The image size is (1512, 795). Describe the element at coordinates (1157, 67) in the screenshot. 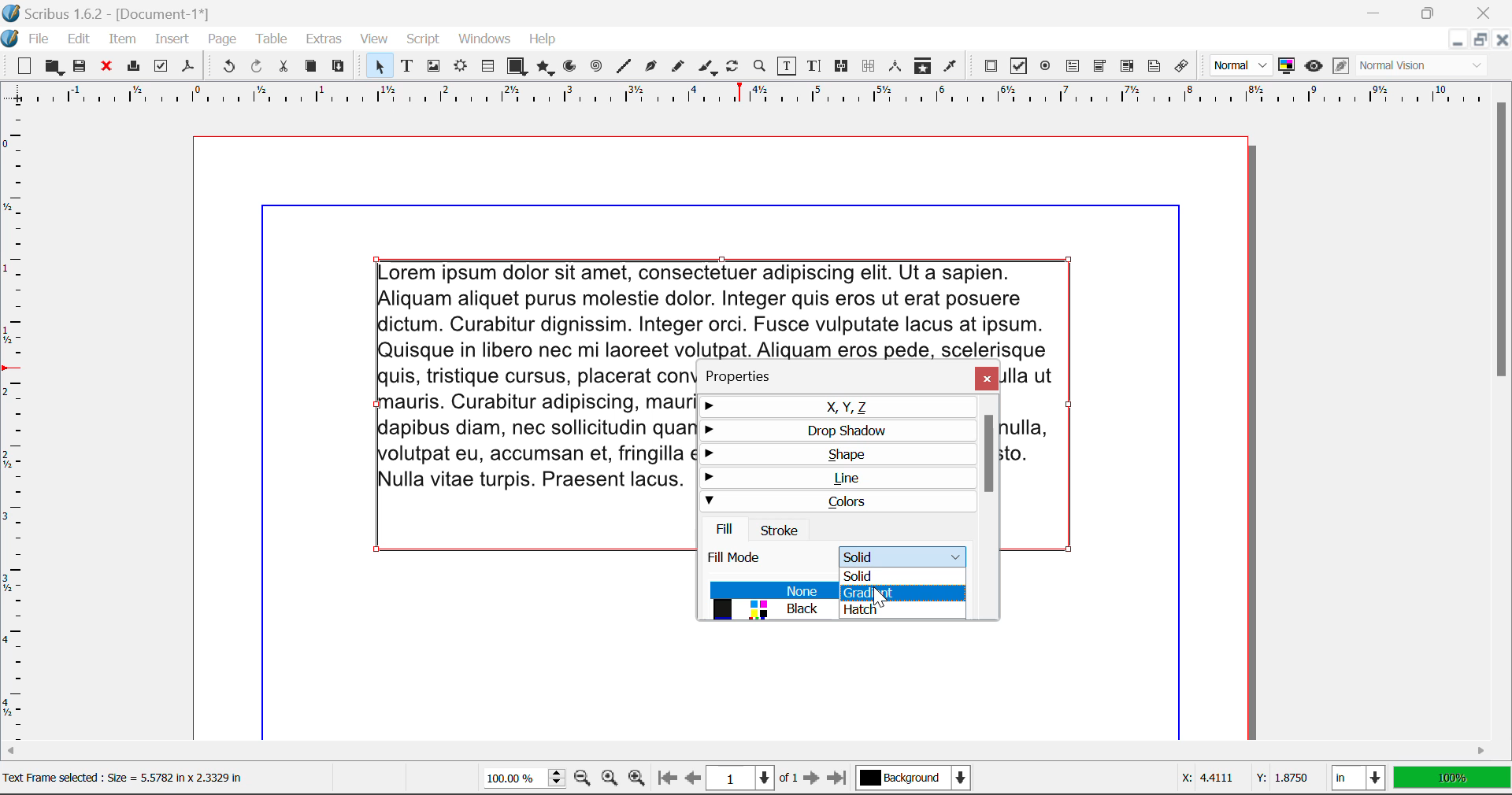

I see `Text Annotation` at that location.